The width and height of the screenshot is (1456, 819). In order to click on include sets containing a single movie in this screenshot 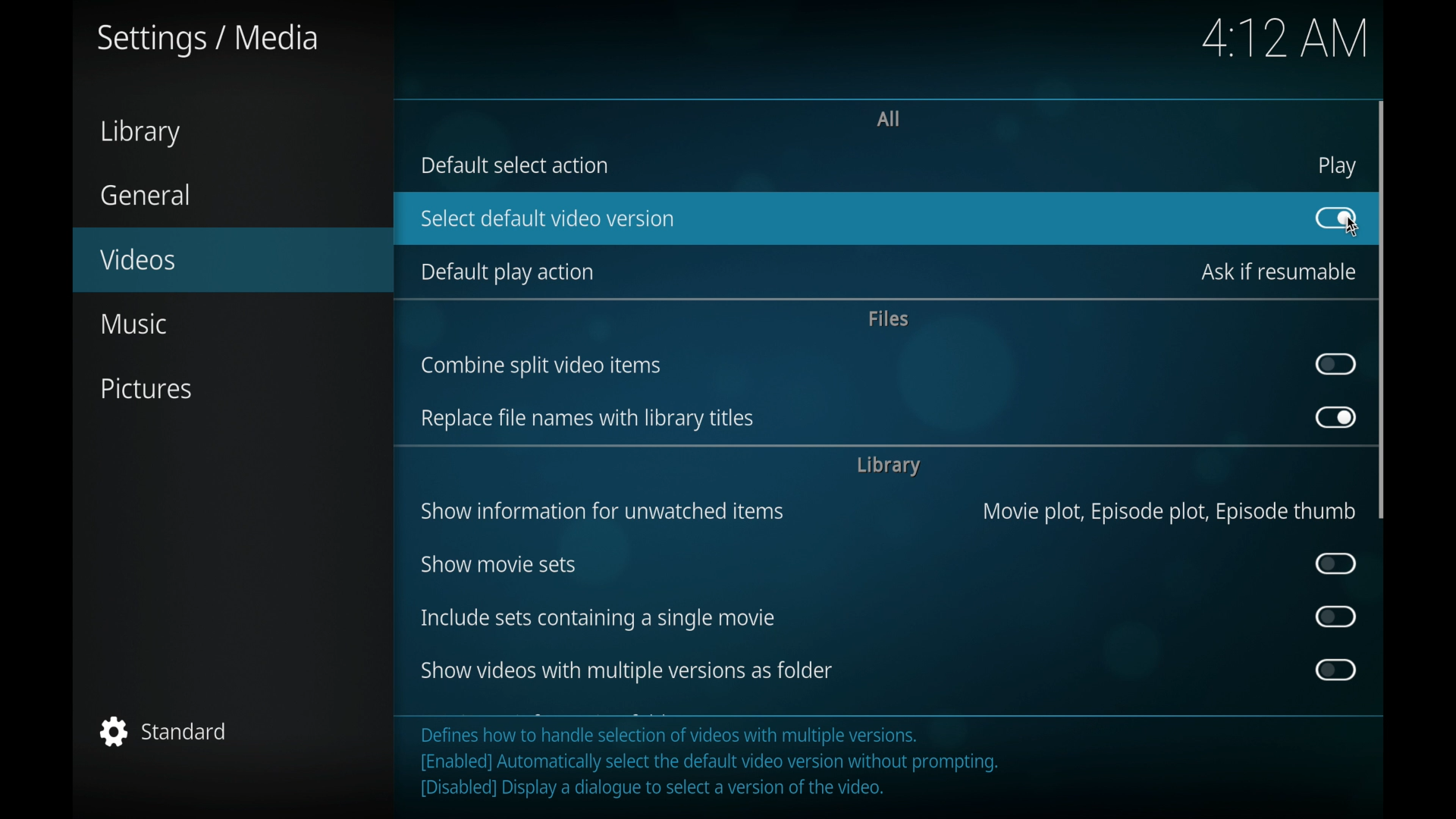, I will do `click(597, 619)`.